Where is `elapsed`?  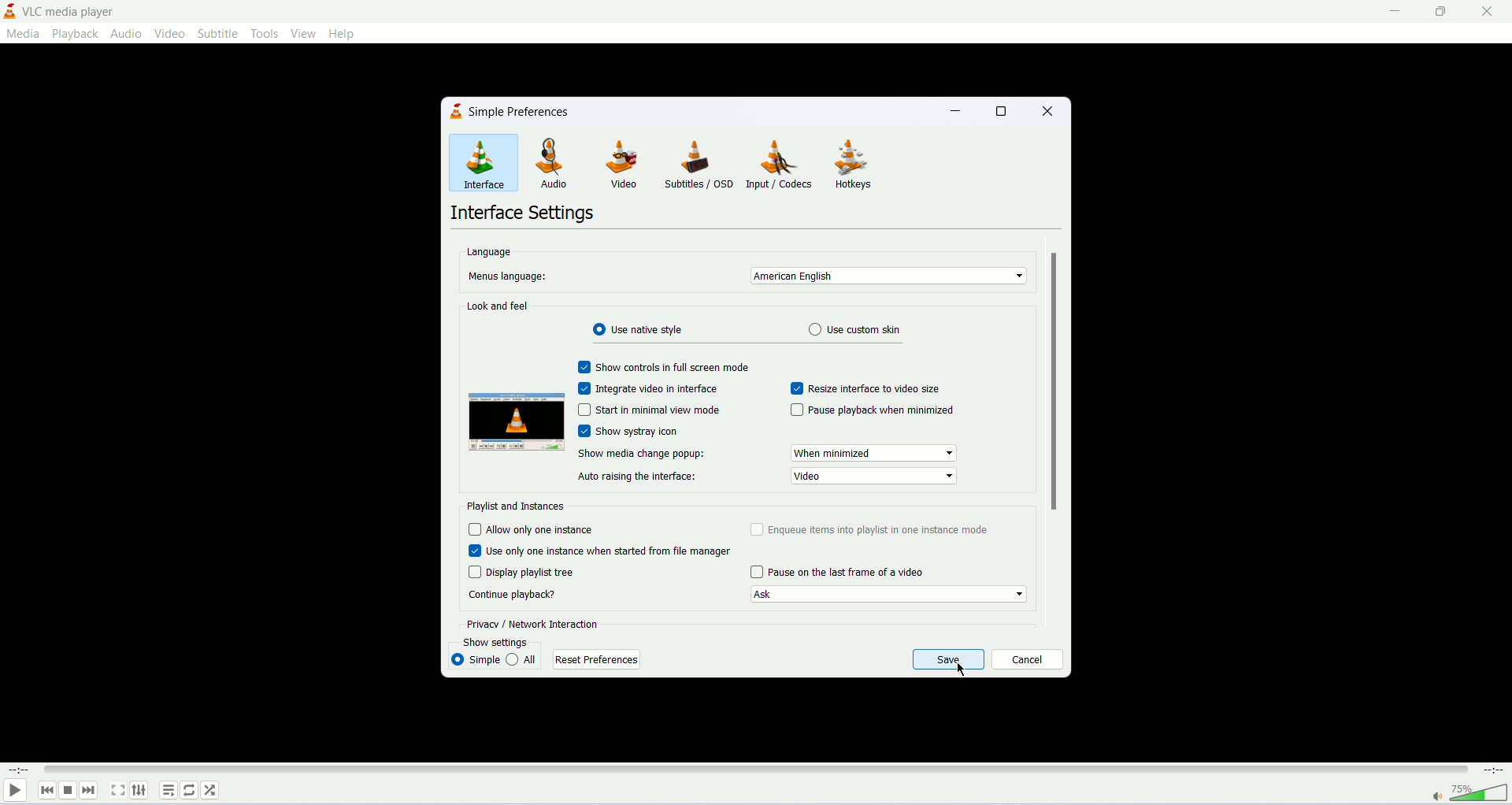 elapsed is located at coordinates (20, 770).